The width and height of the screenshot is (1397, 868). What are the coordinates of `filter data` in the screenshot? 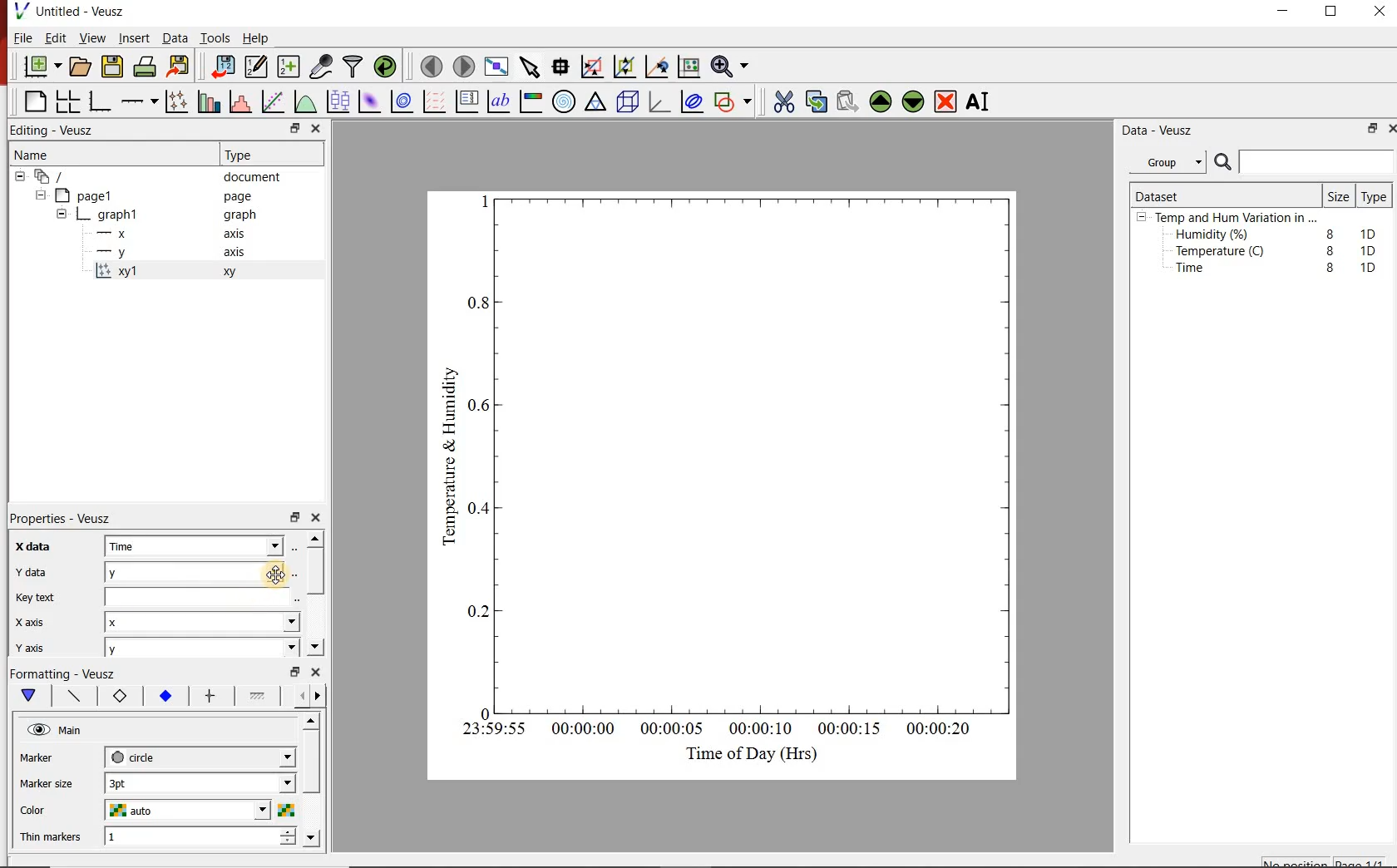 It's located at (353, 67).